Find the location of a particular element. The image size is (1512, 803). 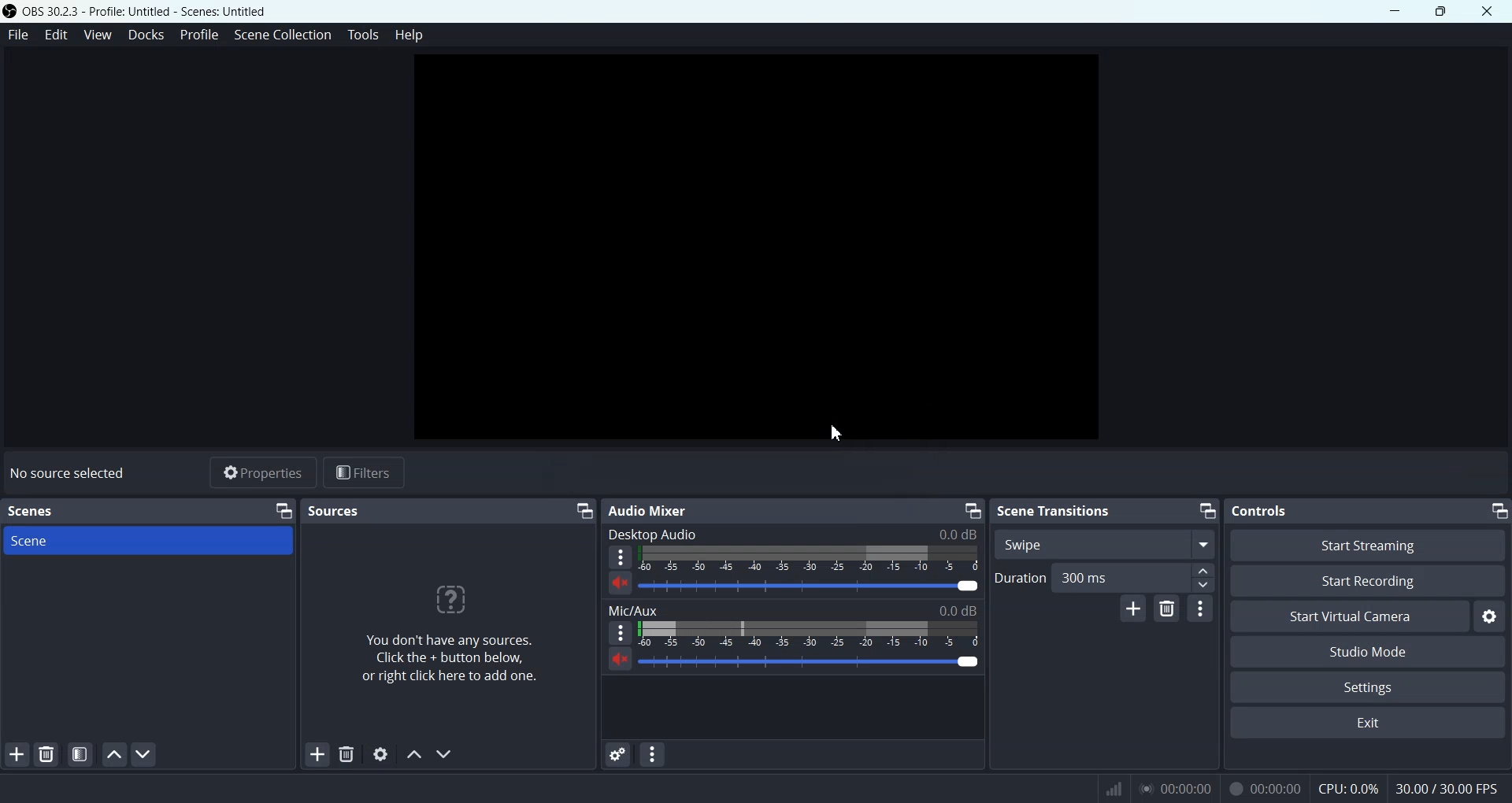

Open source Properties is located at coordinates (381, 754).